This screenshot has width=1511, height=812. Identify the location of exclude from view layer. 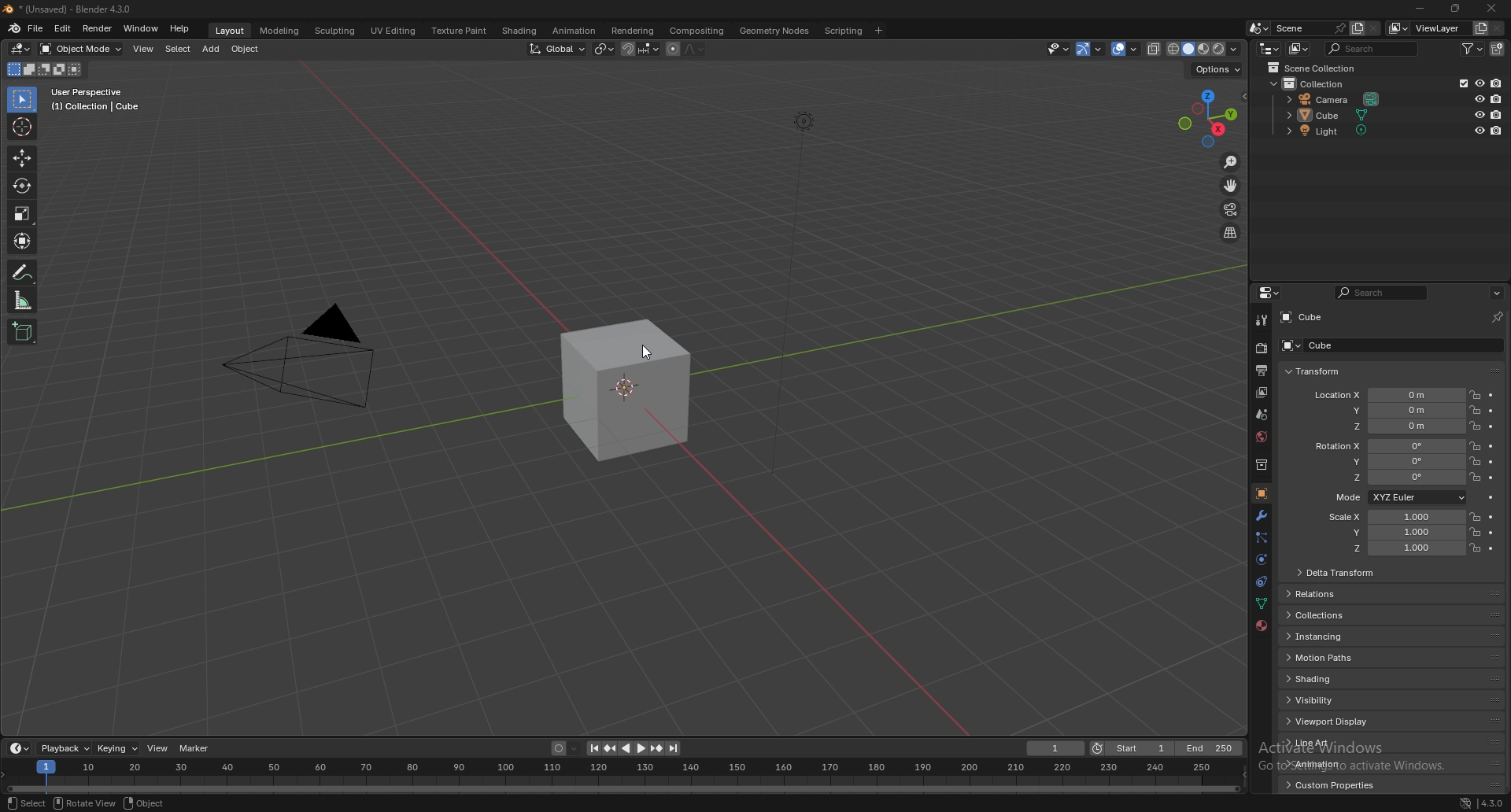
(1459, 82).